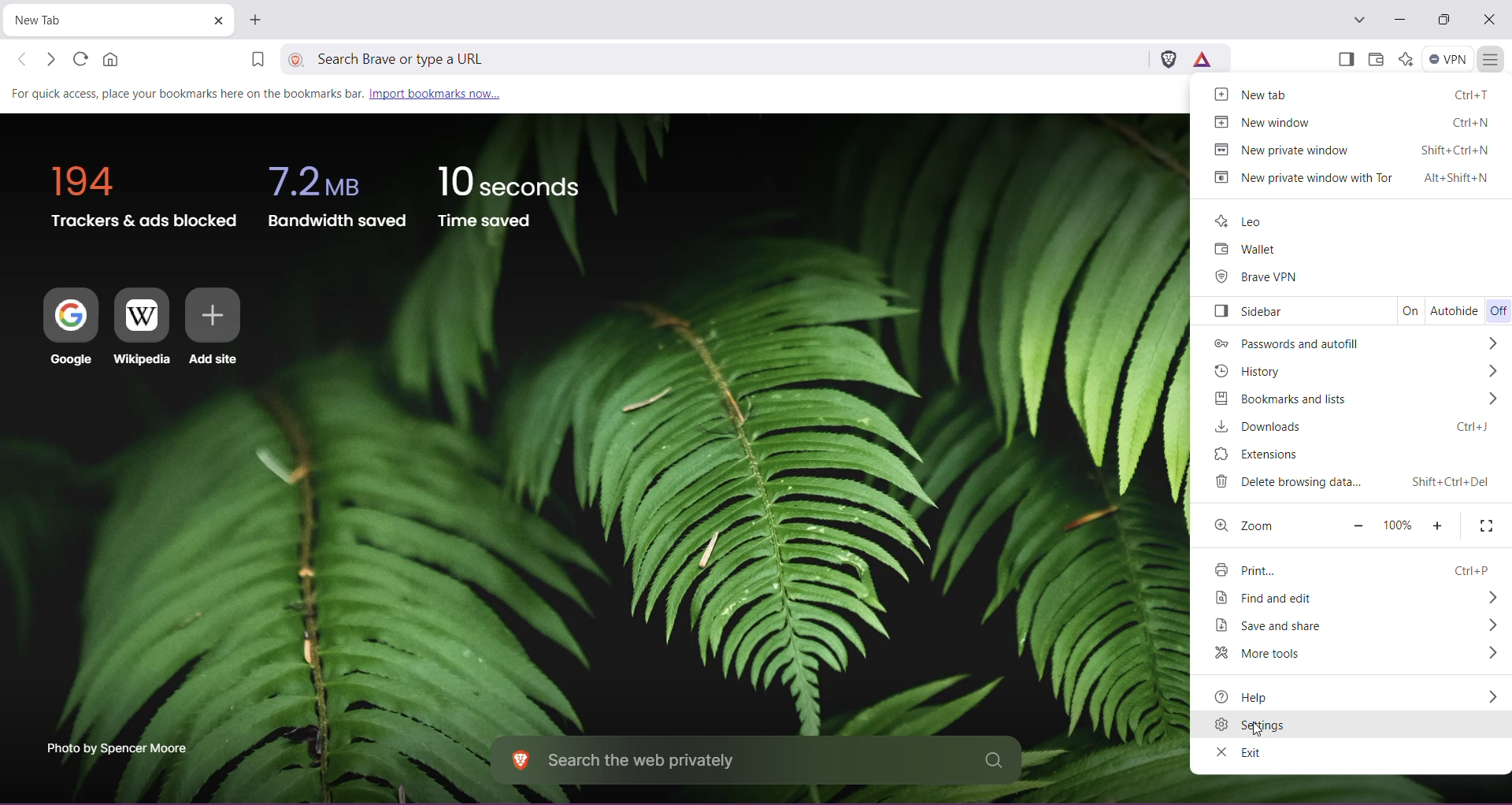 The width and height of the screenshot is (1512, 805). What do you see at coordinates (1247, 525) in the screenshot?
I see `Zoom` at bounding box center [1247, 525].